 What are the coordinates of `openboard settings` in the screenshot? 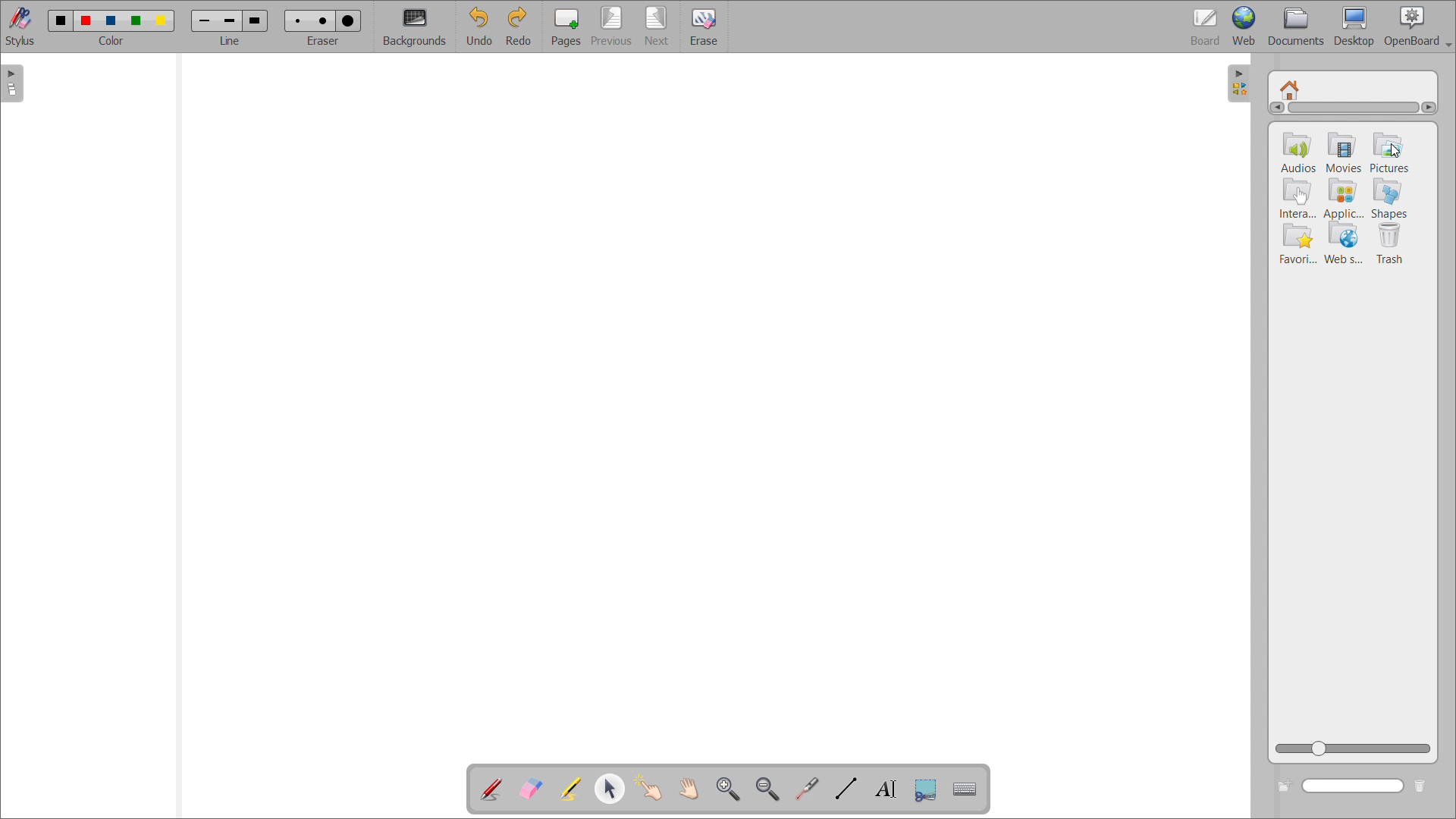 It's located at (1417, 27).